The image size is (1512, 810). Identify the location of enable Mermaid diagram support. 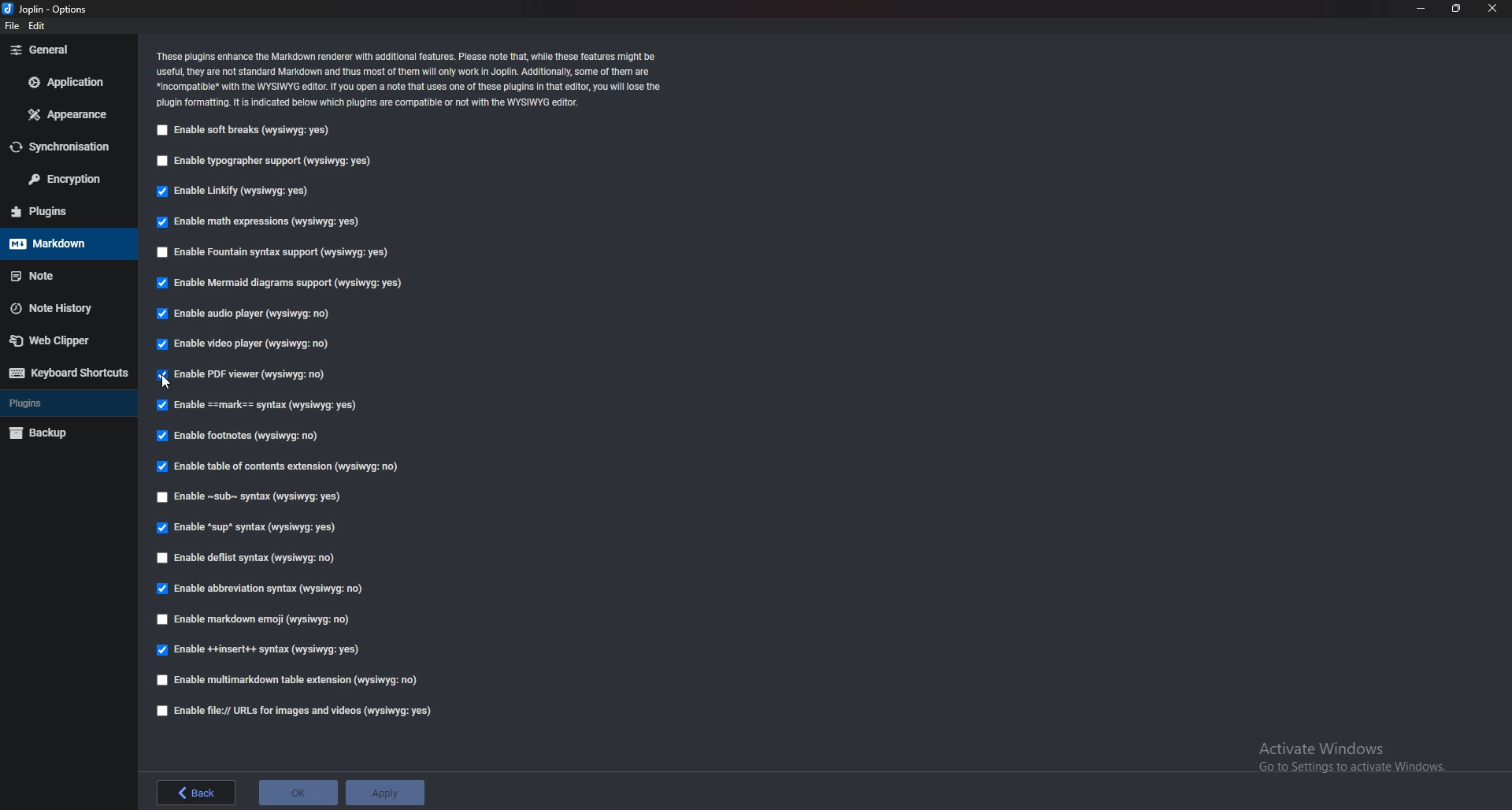
(288, 282).